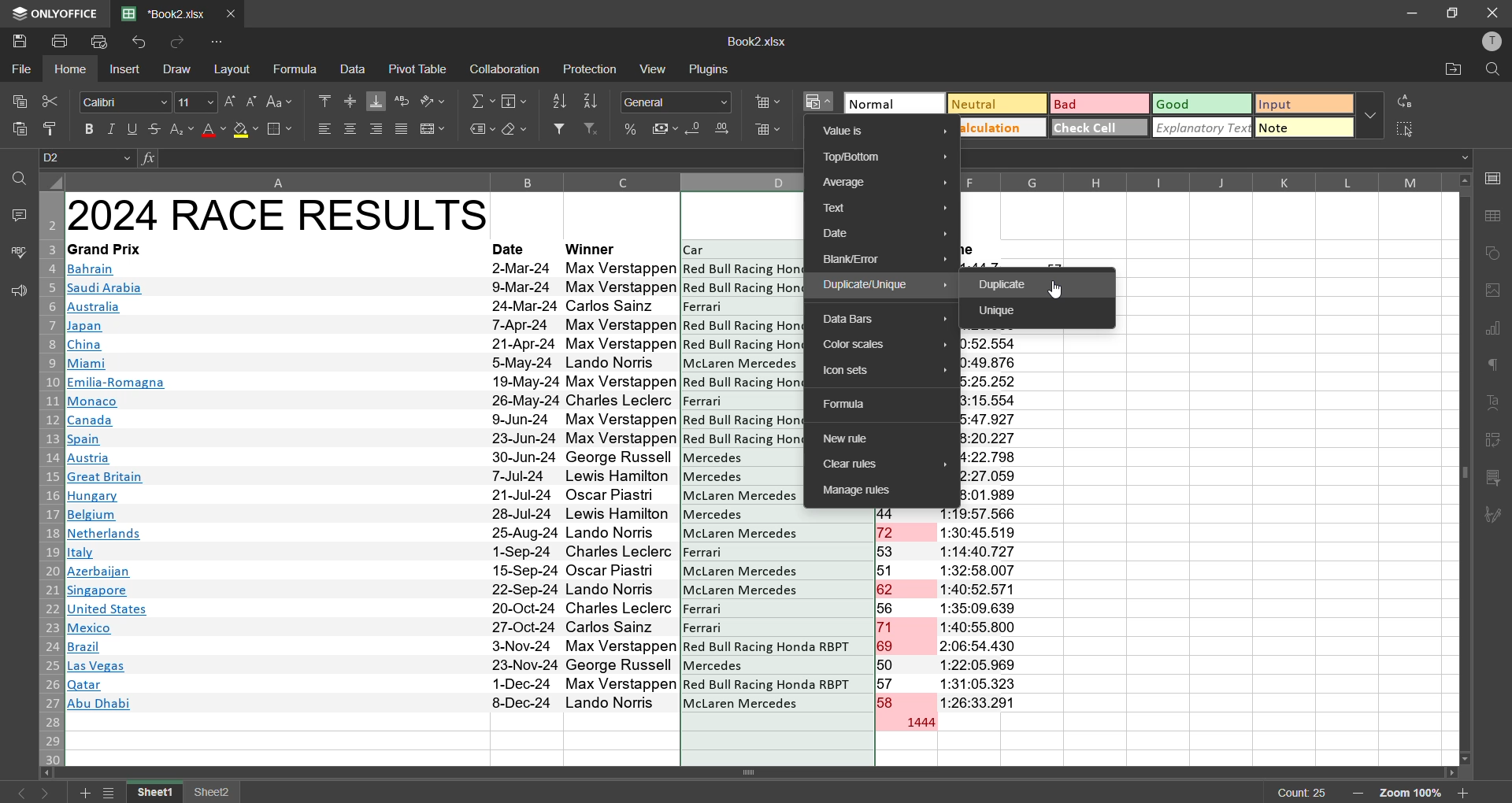  I want to click on zoom in, so click(1356, 794).